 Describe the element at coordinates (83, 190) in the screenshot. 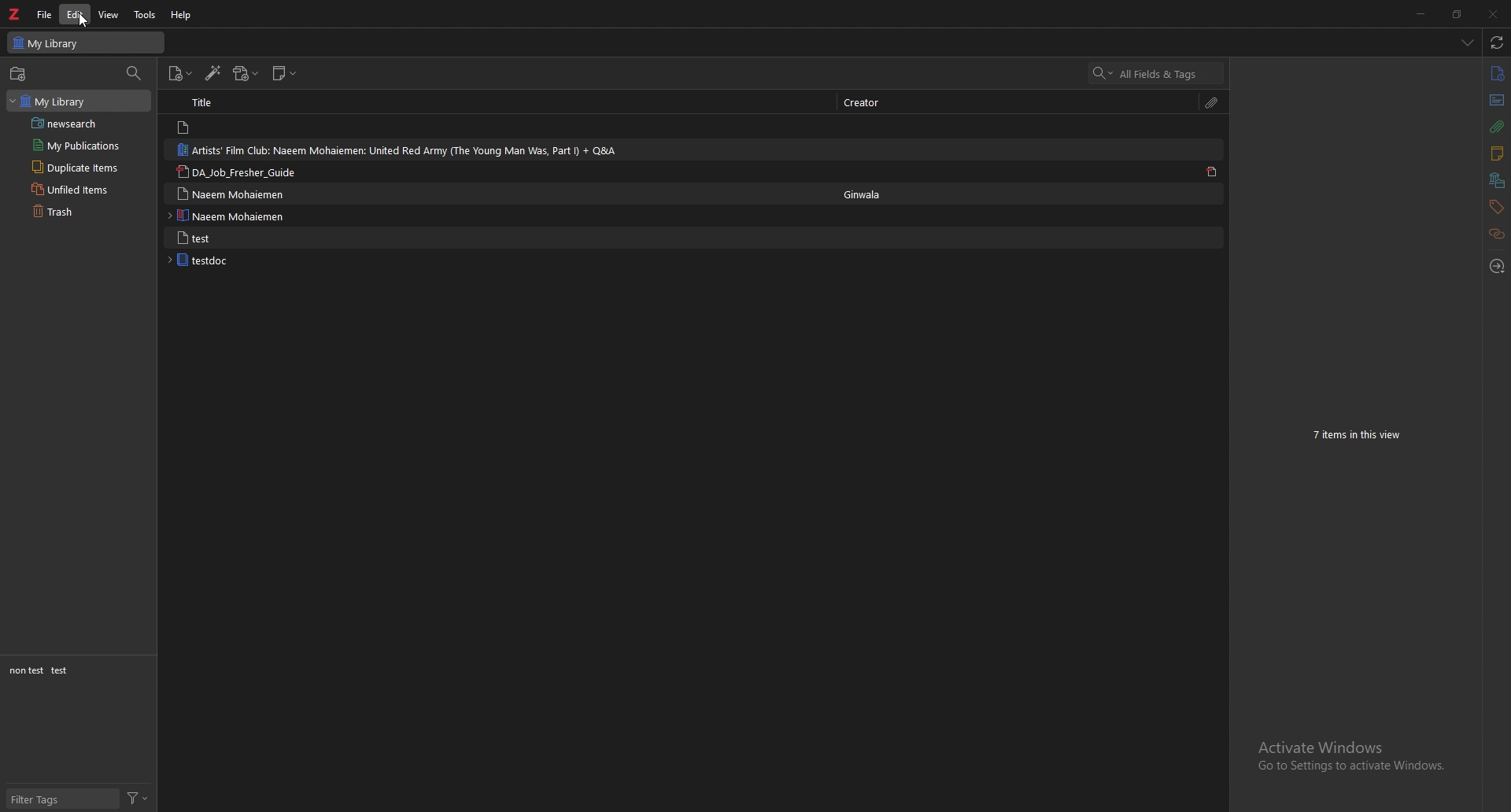

I see `unfiled items` at that location.